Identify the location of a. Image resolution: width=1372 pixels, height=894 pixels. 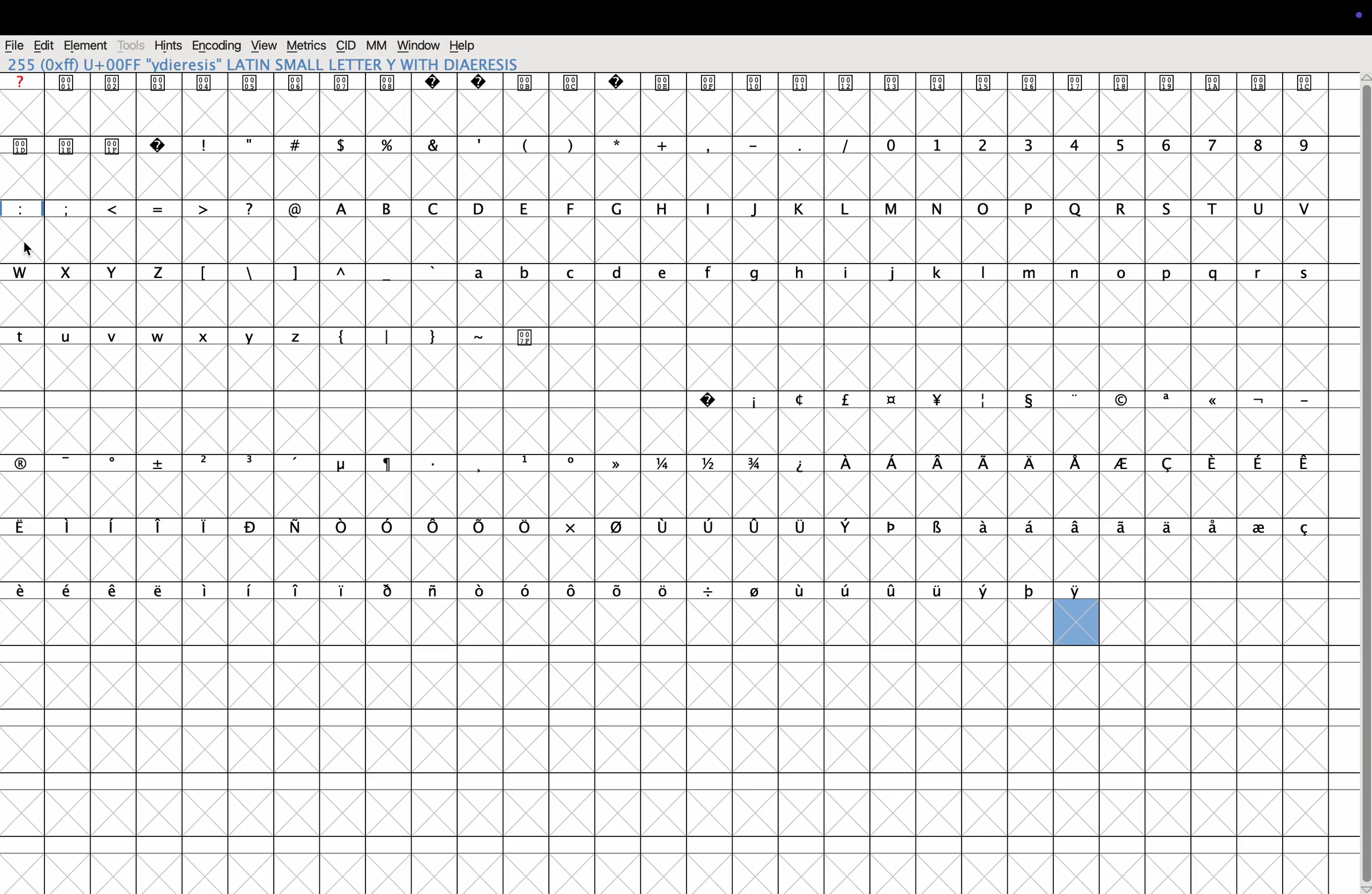
(481, 296).